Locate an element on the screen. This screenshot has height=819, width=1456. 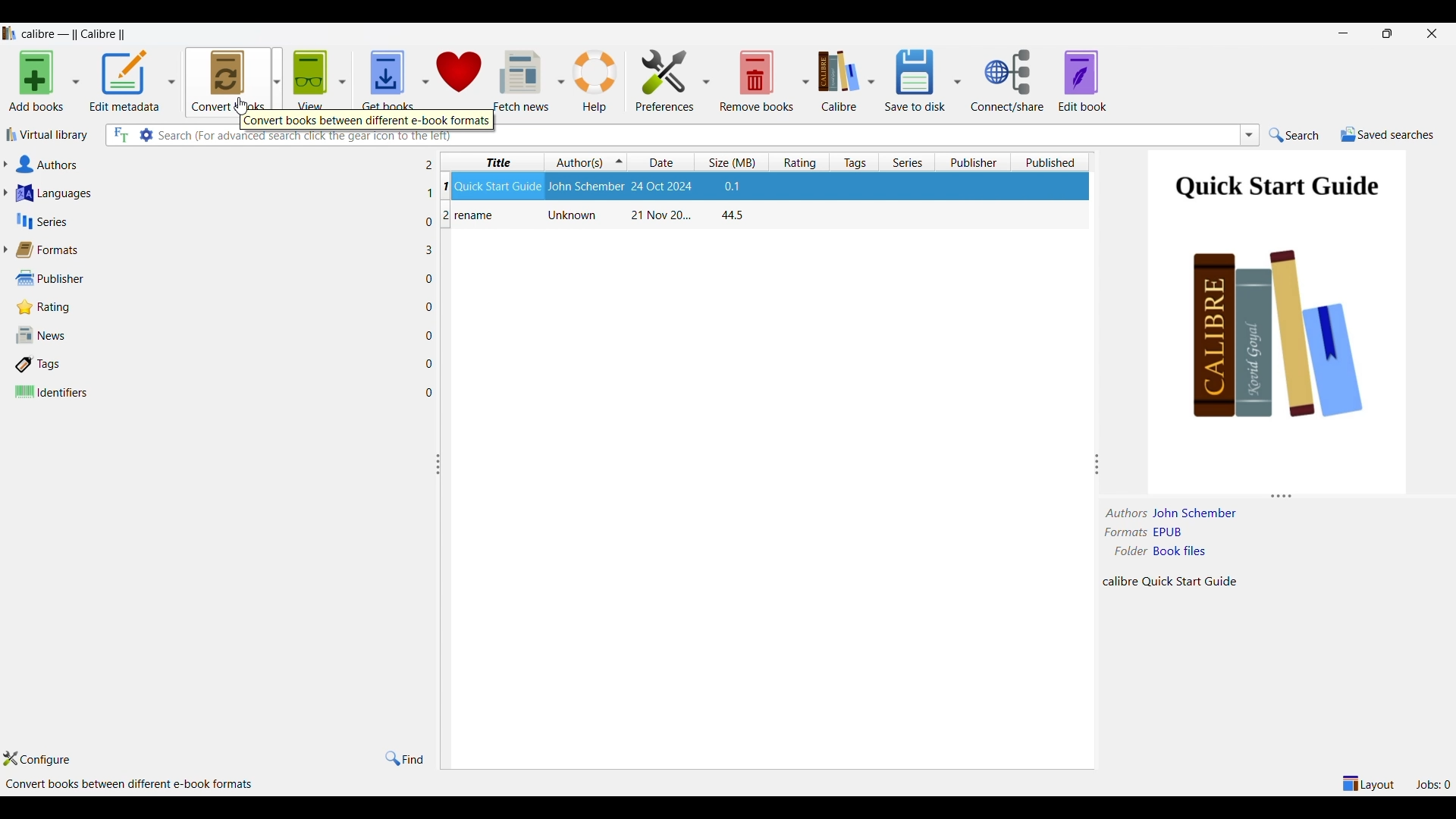
 is located at coordinates (1275, 318).